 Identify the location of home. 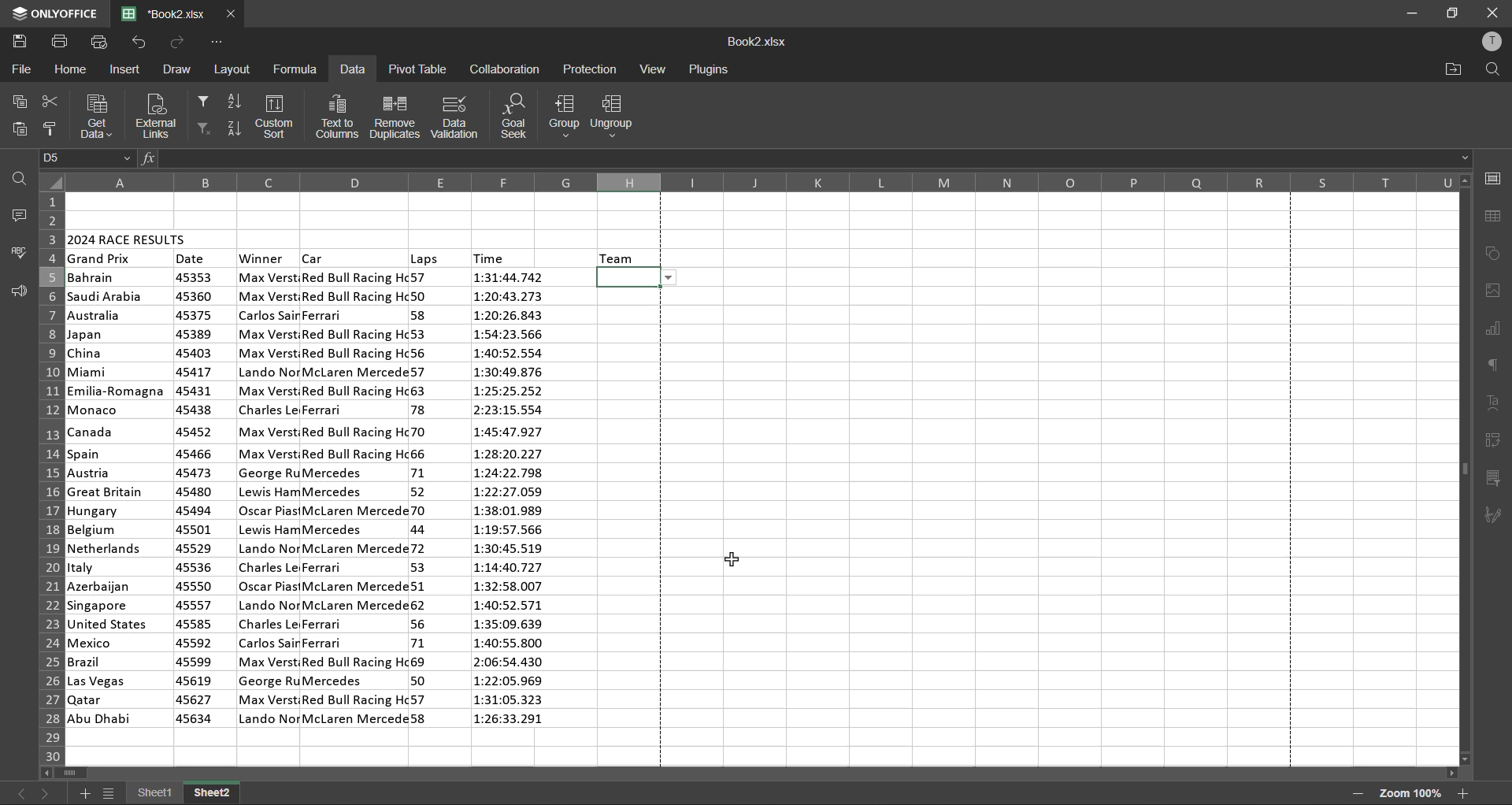
(71, 71).